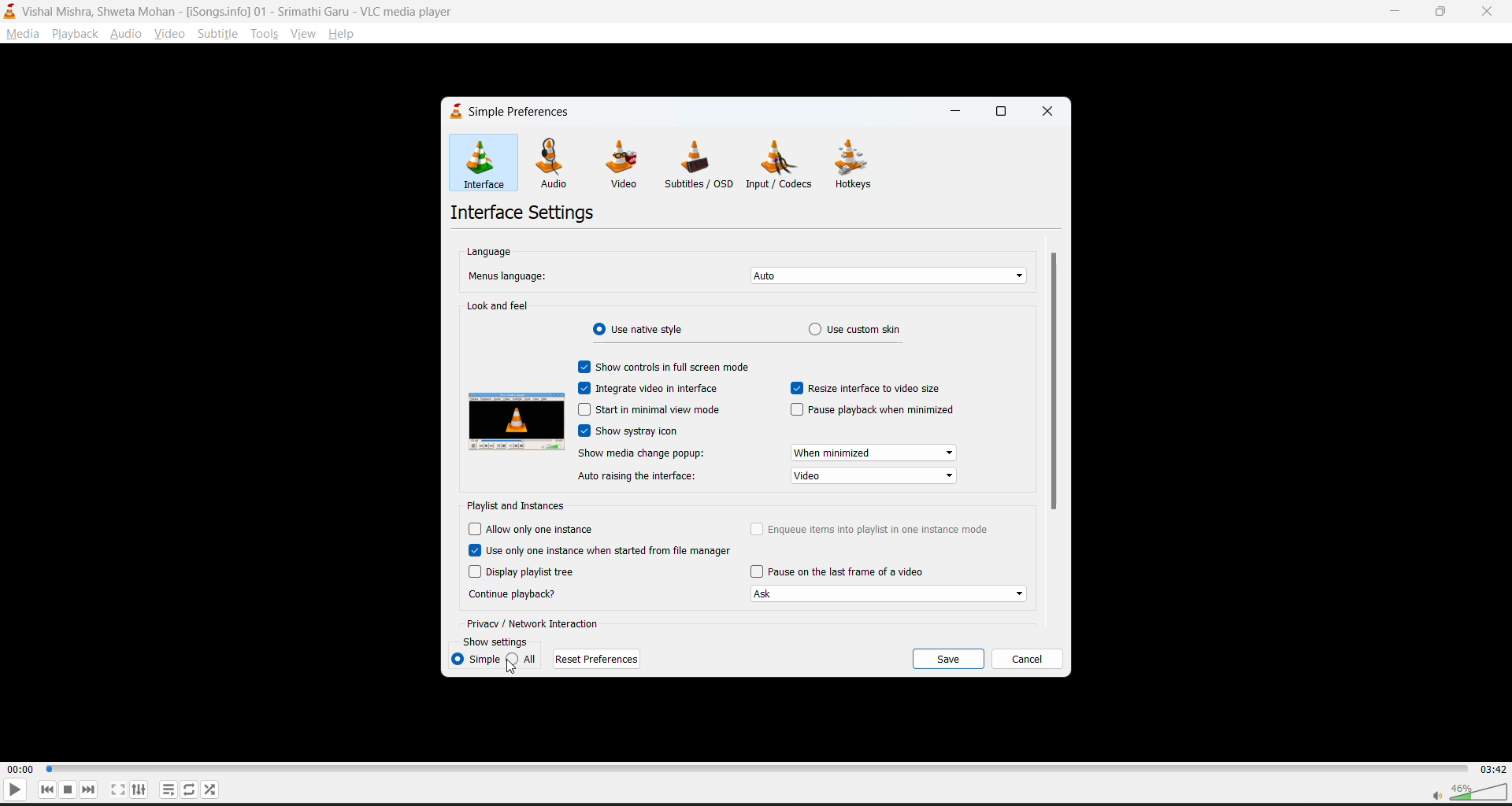  Describe the element at coordinates (869, 388) in the screenshot. I see `resize interface to video size` at that location.